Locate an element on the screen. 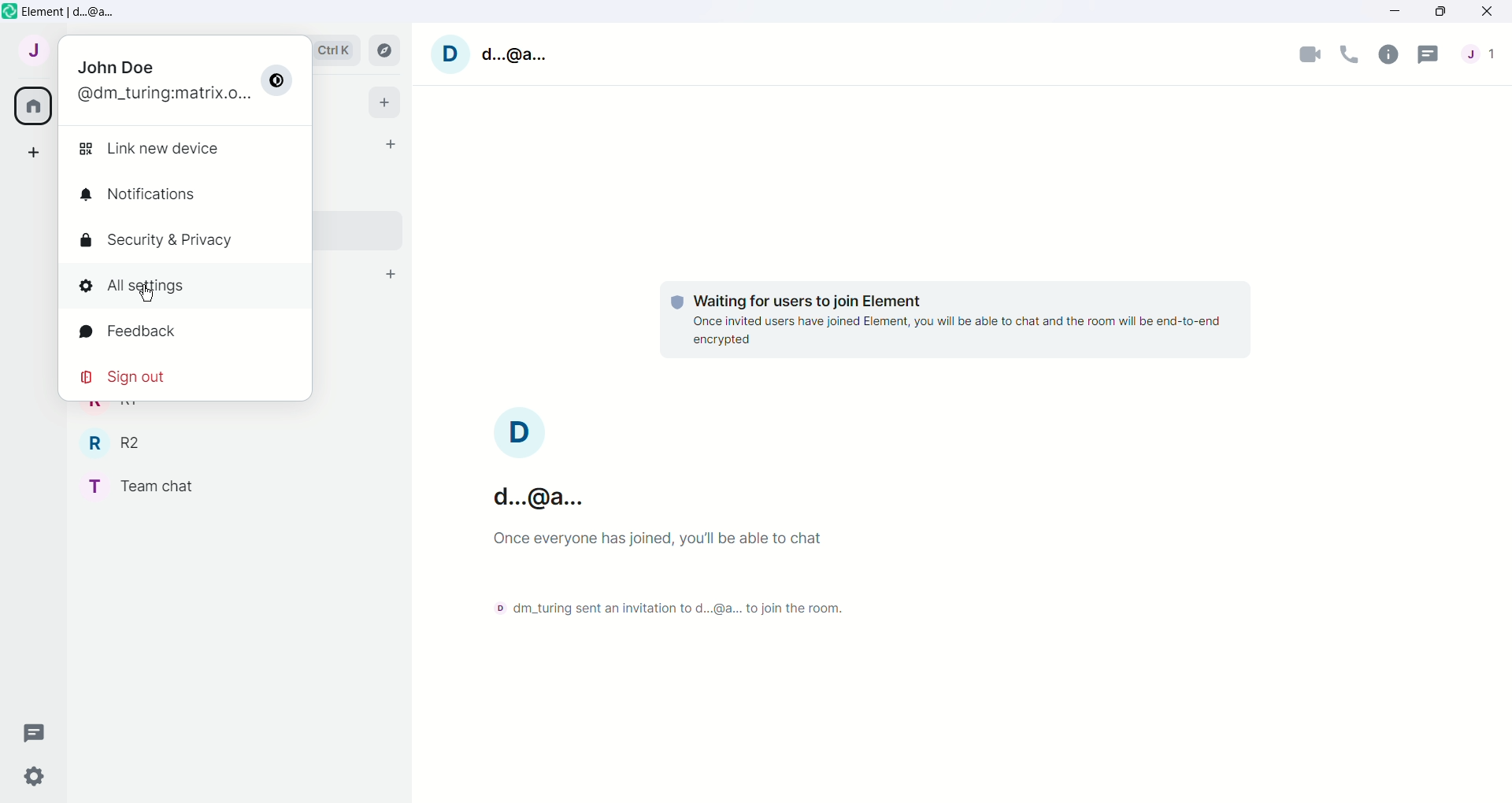 This screenshot has width=1512, height=803. Element | d...@a... is located at coordinates (72, 13).